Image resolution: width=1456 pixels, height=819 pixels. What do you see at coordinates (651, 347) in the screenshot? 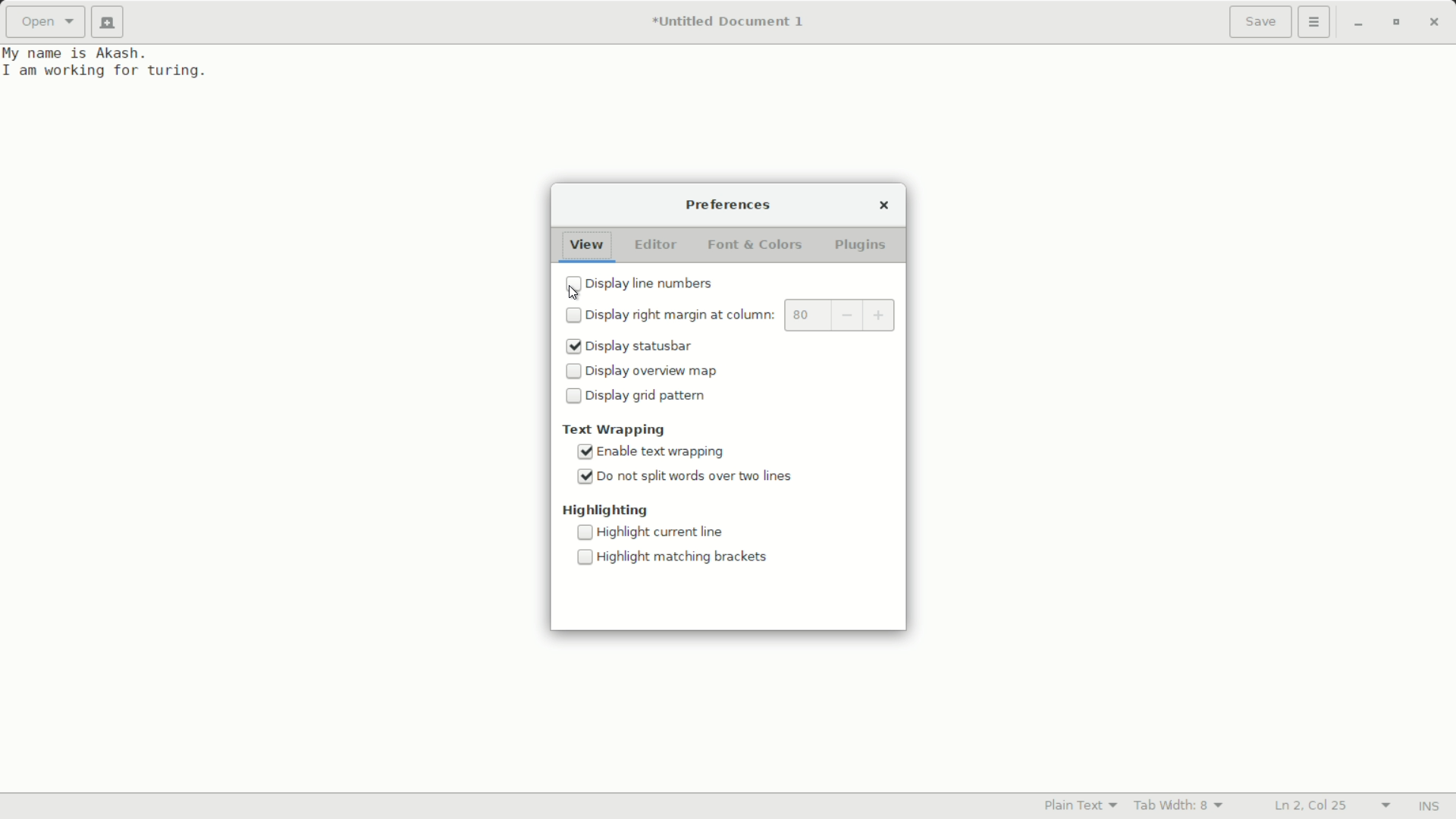
I see `display status bar` at bounding box center [651, 347].